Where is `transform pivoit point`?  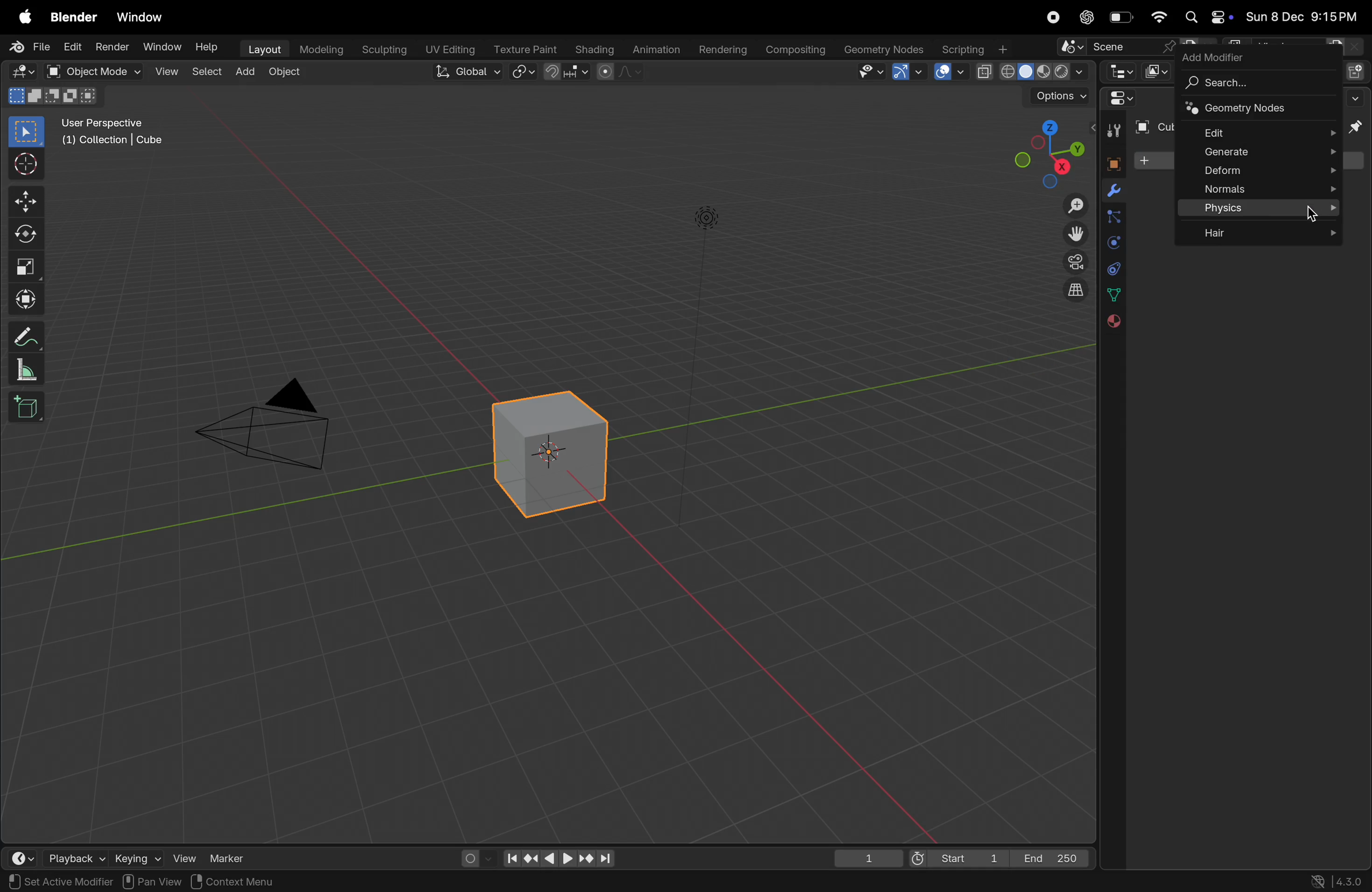 transform pivoit point is located at coordinates (524, 73).